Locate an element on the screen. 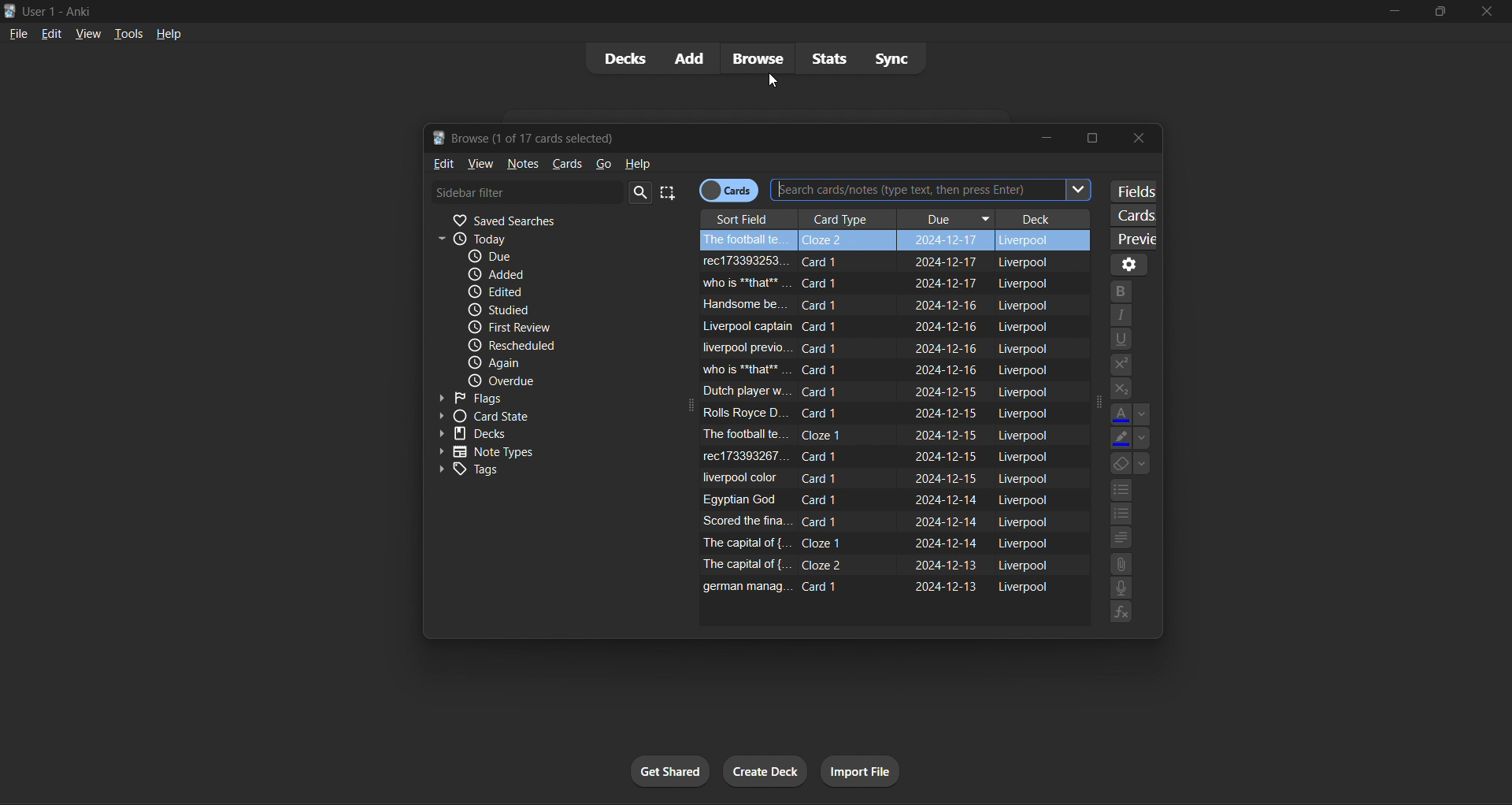 Image resolution: width=1512 pixels, height=805 pixels. cards/notes toggle is located at coordinates (728, 191).